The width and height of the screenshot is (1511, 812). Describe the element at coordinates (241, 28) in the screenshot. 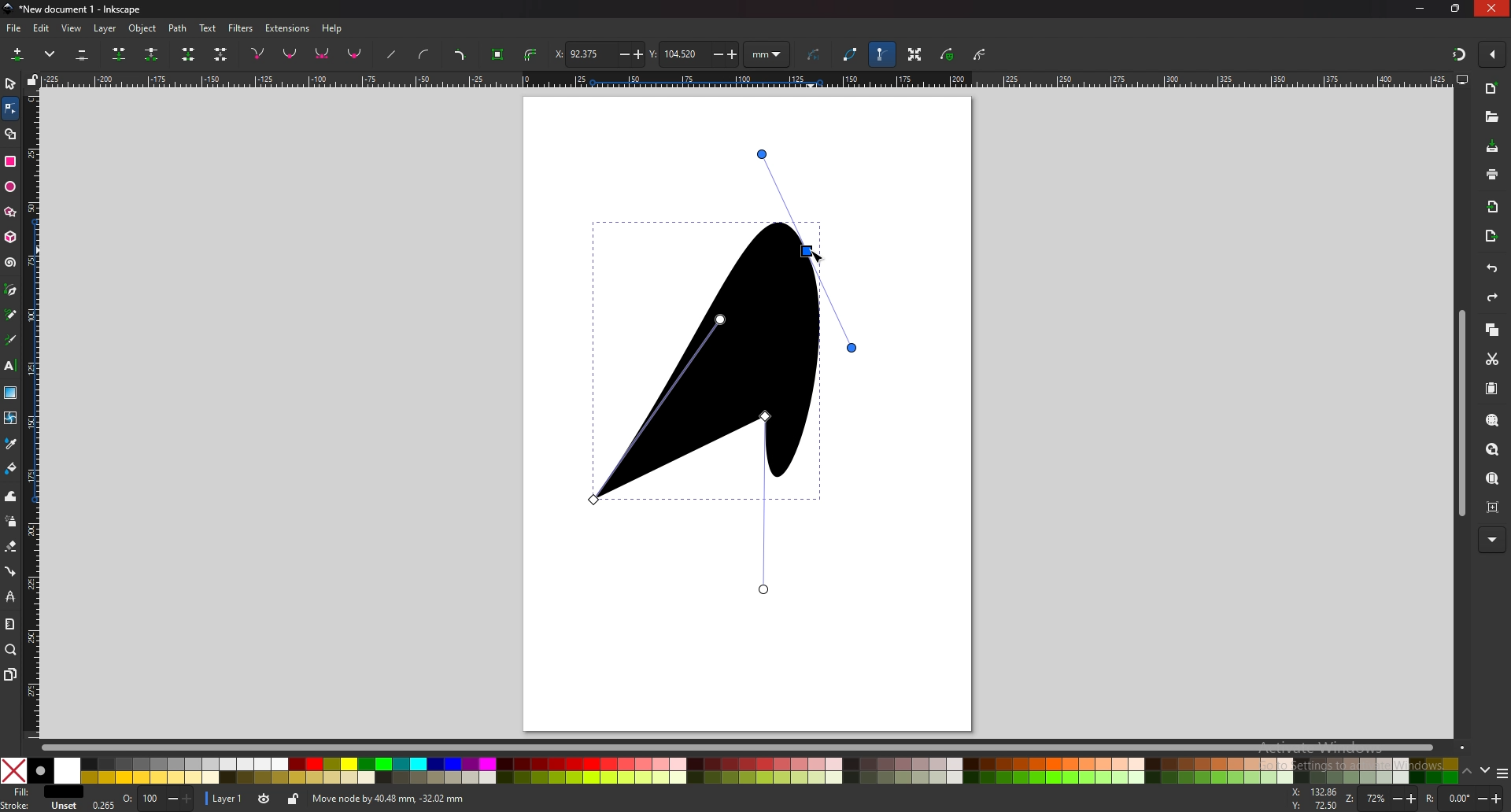

I see `filters` at that location.